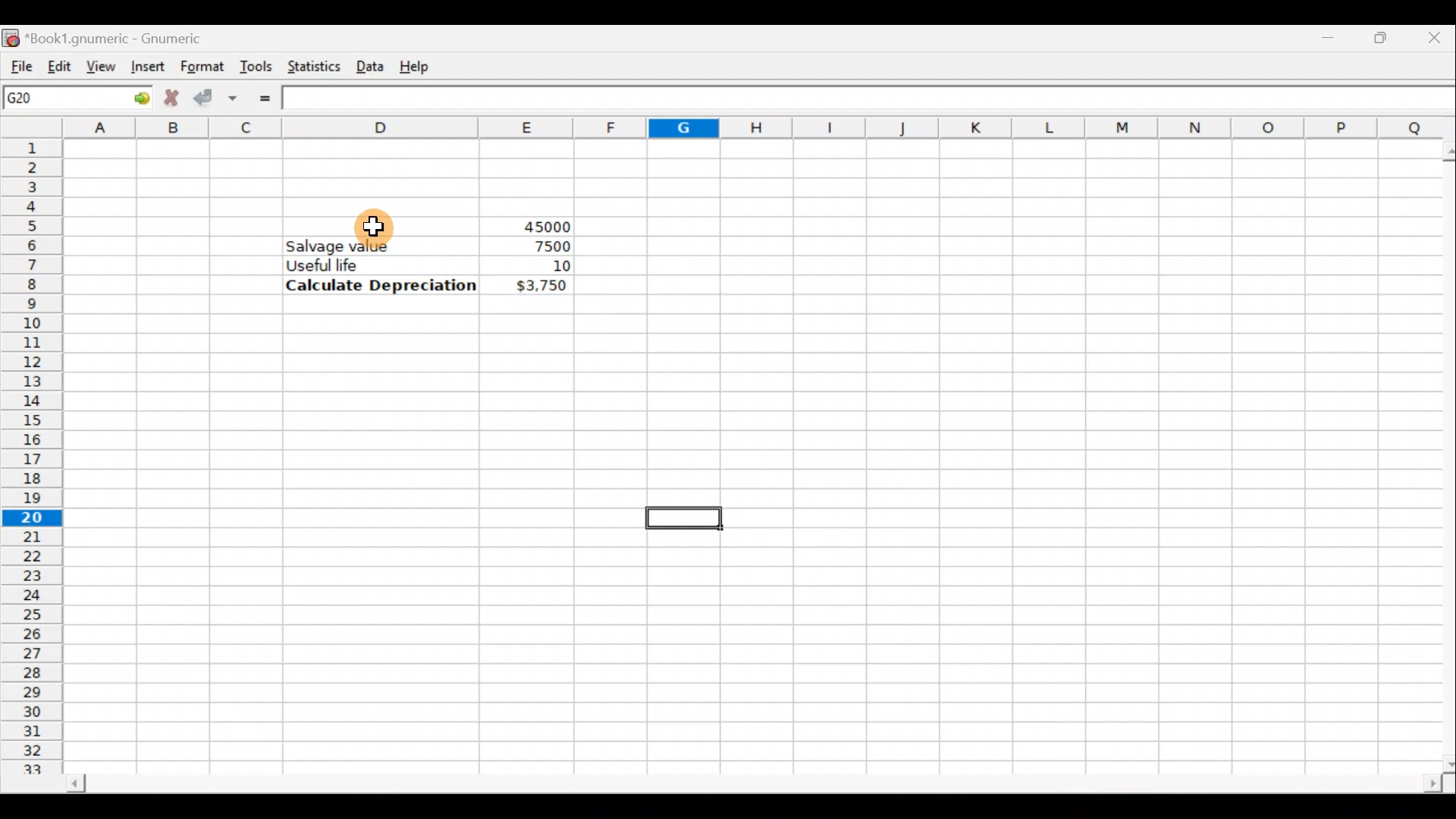  Describe the element at coordinates (372, 265) in the screenshot. I see `Useful life` at that location.